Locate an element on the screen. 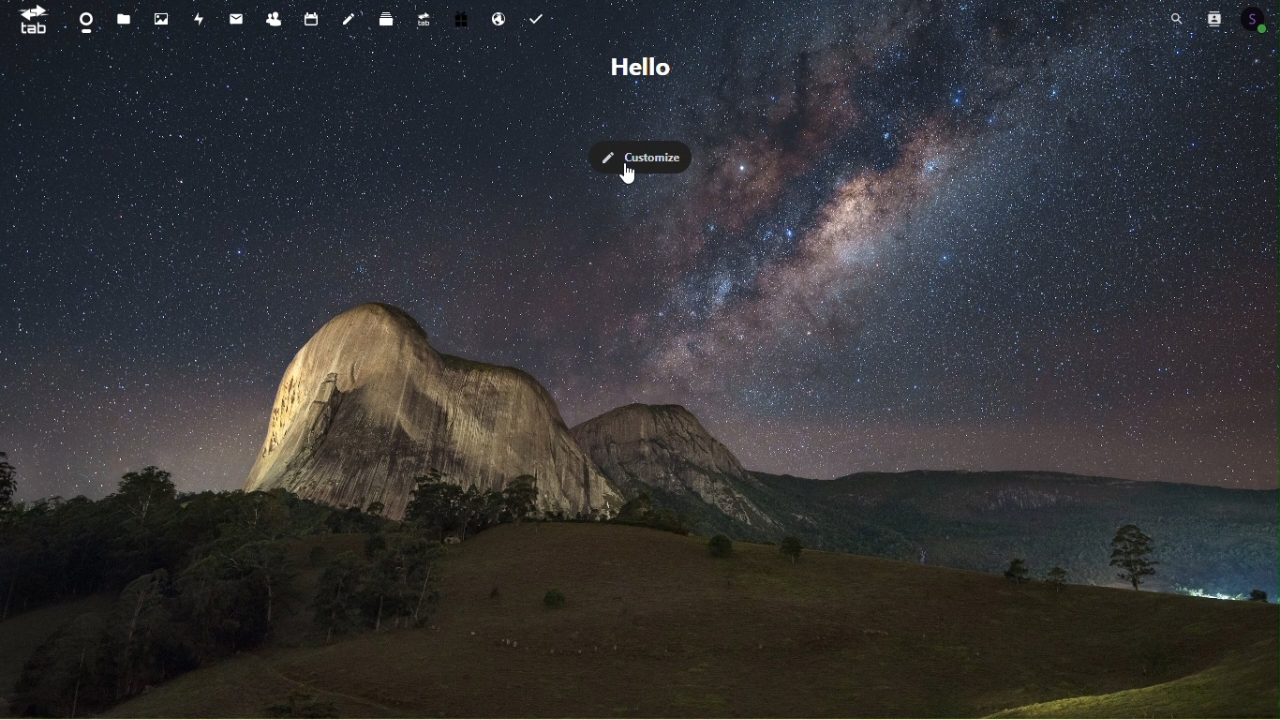 The height and width of the screenshot is (720, 1280). background image is located at coordinates (643, 458).